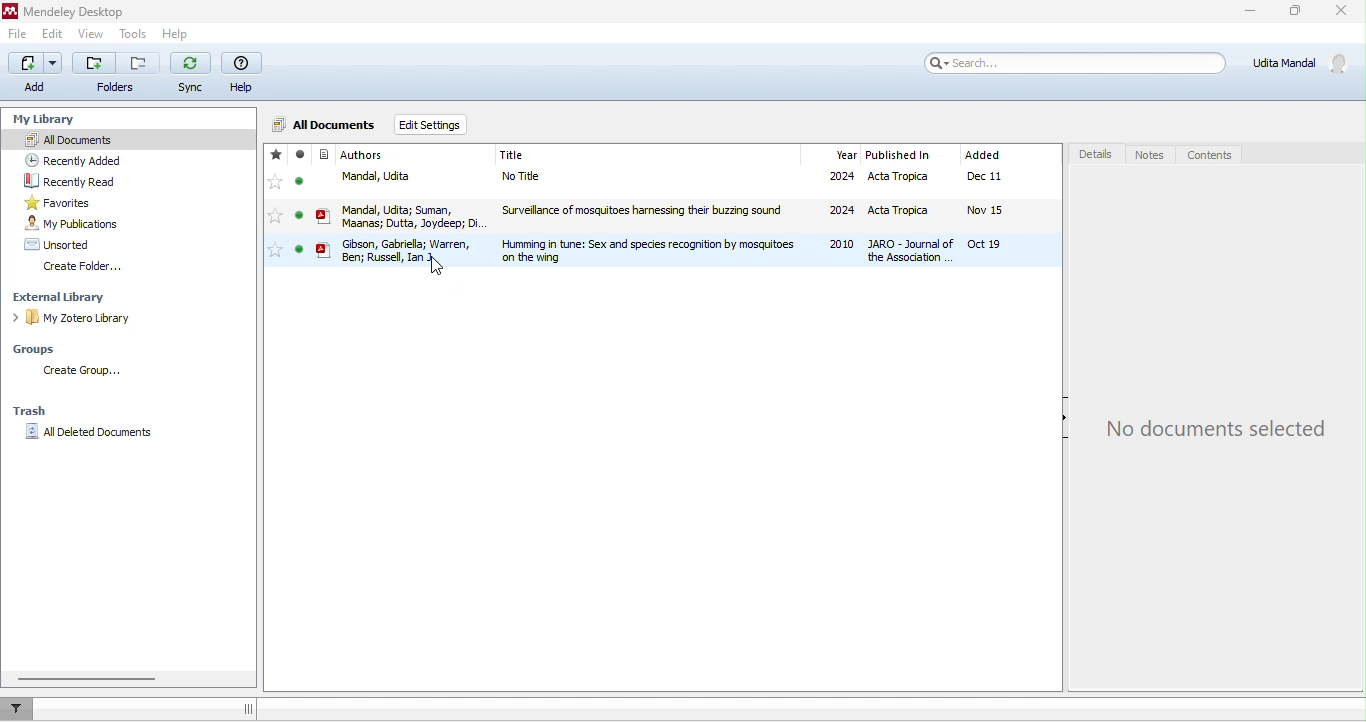  What do you see at coordinates (1339, 11) in the screenshot?
I see `close` at bounding box center [1339, 11].